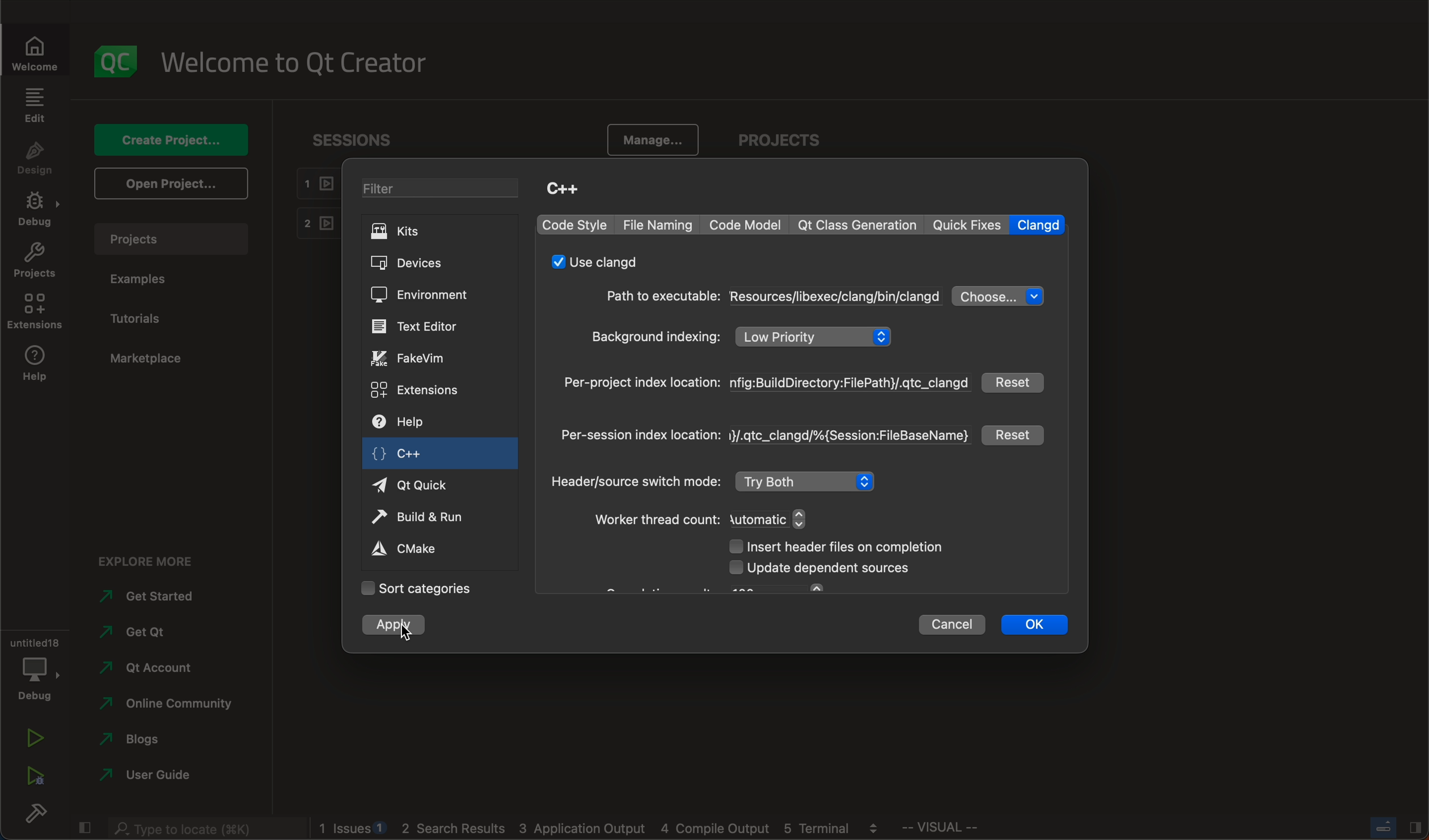 This screenshot has height=840, width=1429. What do you see at coordinates (822, 569) in the screenshot?
I see `dependent sources` at bounding box center [822, 569].